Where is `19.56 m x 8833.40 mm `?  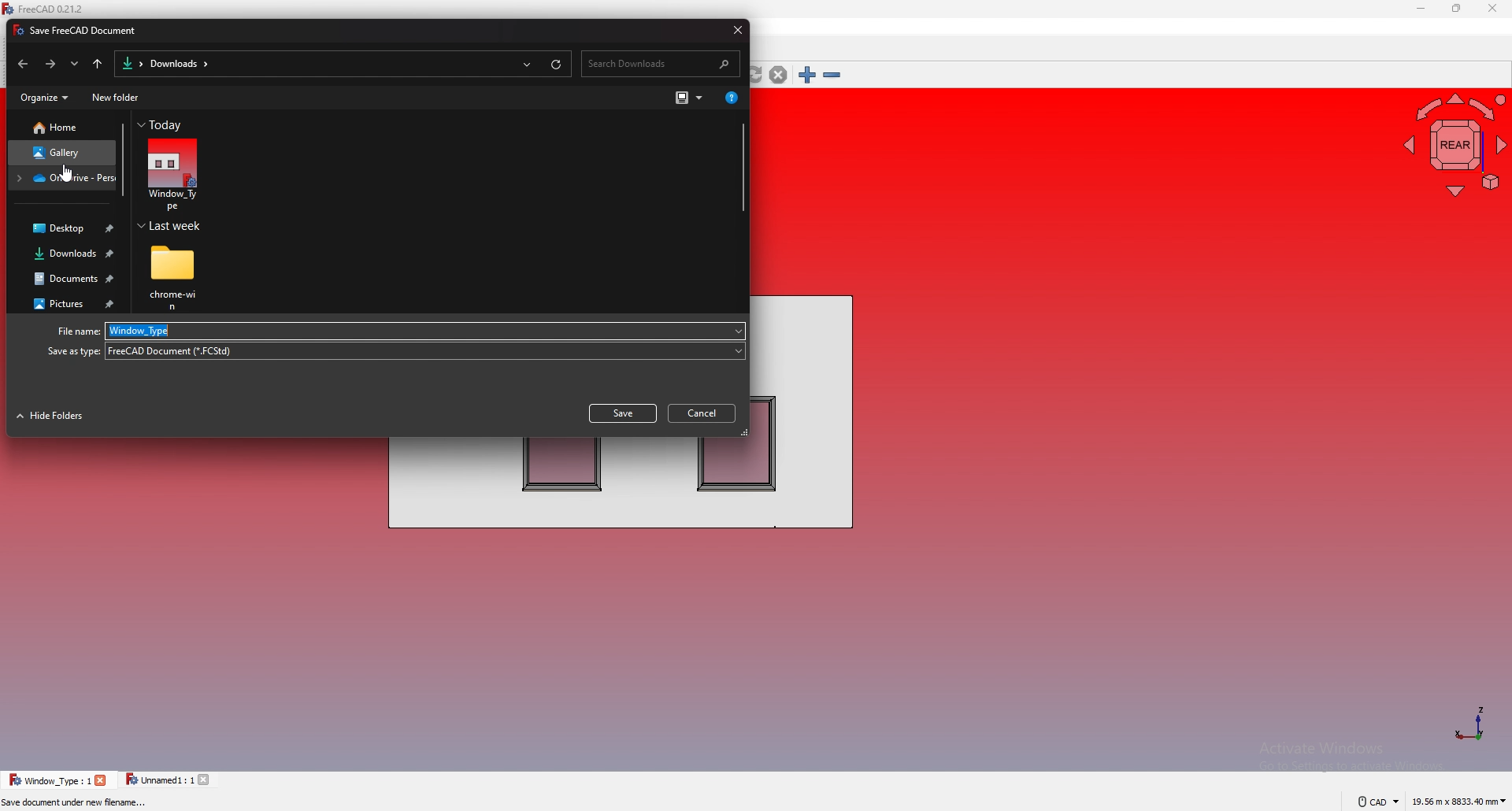 19.56 m x 8833.40 mm  is located at coordinates (1459, 799).